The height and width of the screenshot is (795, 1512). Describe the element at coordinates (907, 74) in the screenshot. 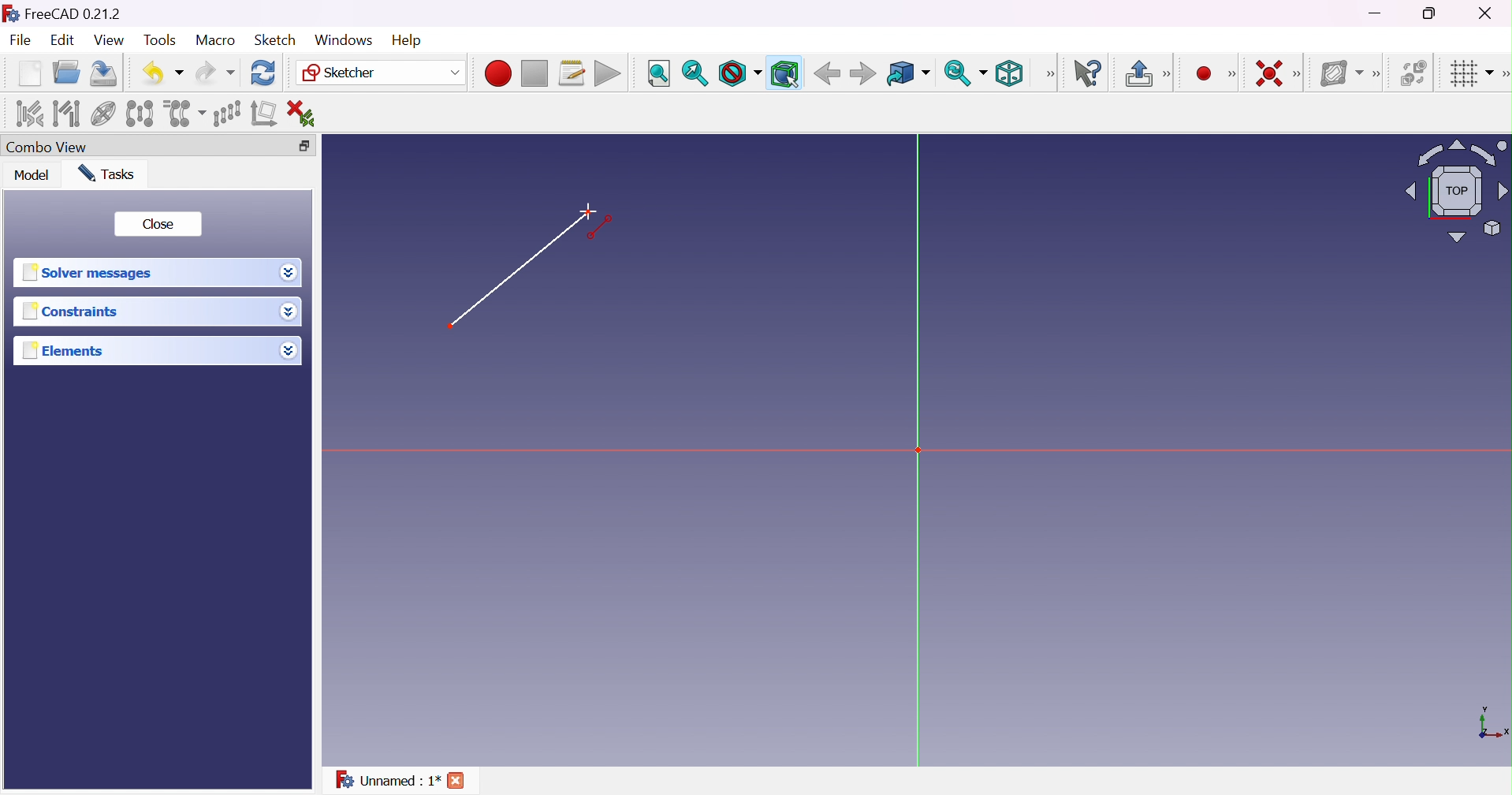

I see `Move in box` at that location.